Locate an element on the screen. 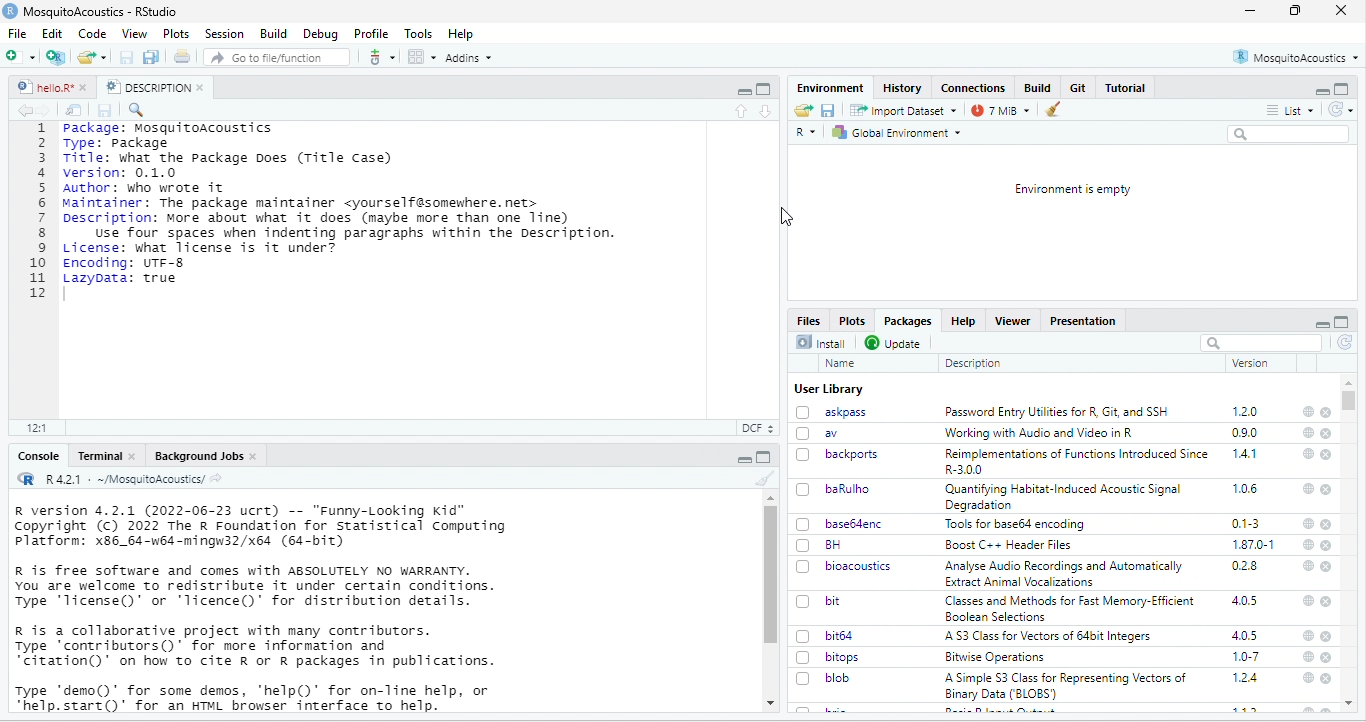 The width and height of the screenshot is (1366, 722). refresh is located at coordinates (1345, 343).